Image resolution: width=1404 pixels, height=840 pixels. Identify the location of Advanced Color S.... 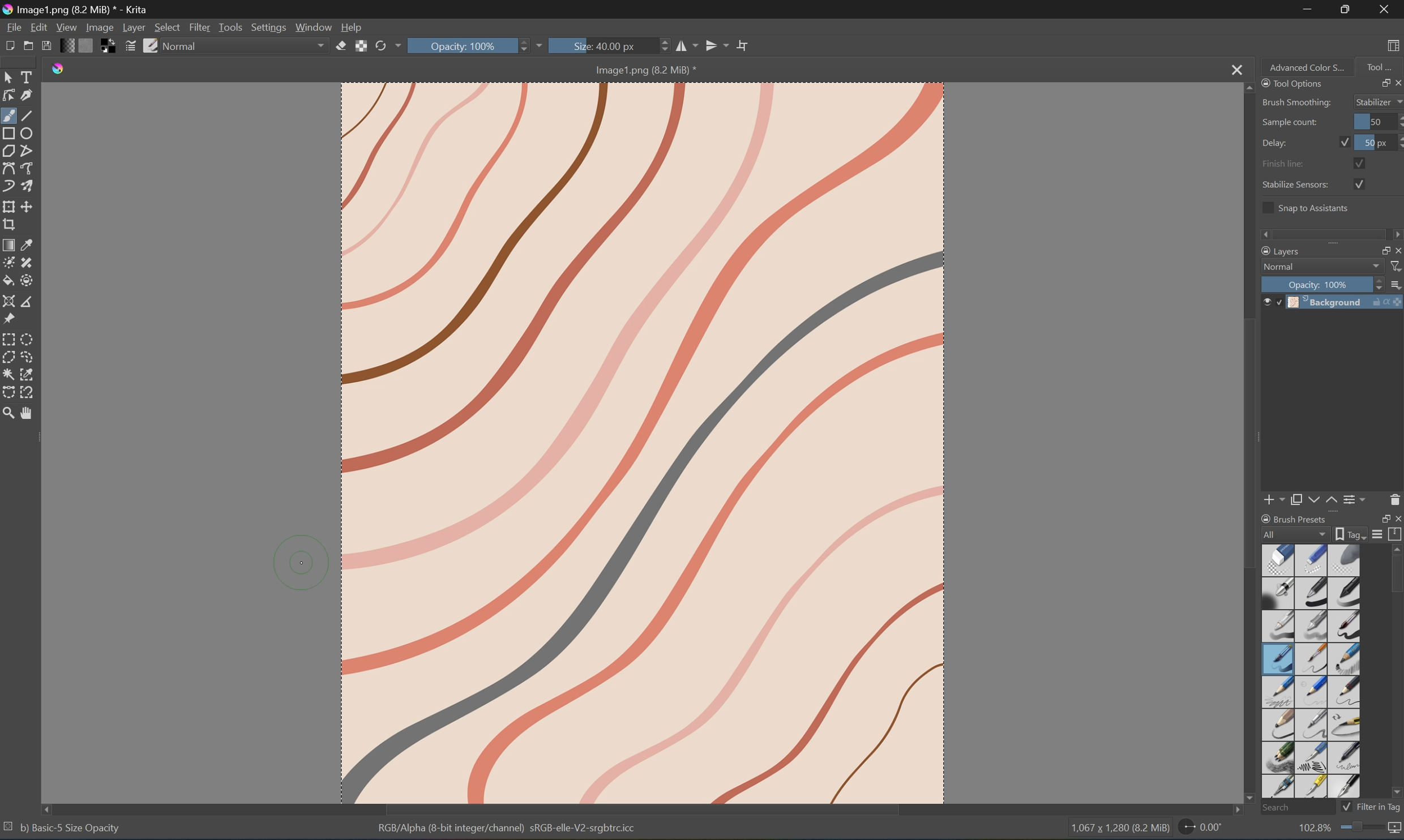
(1308, 68).